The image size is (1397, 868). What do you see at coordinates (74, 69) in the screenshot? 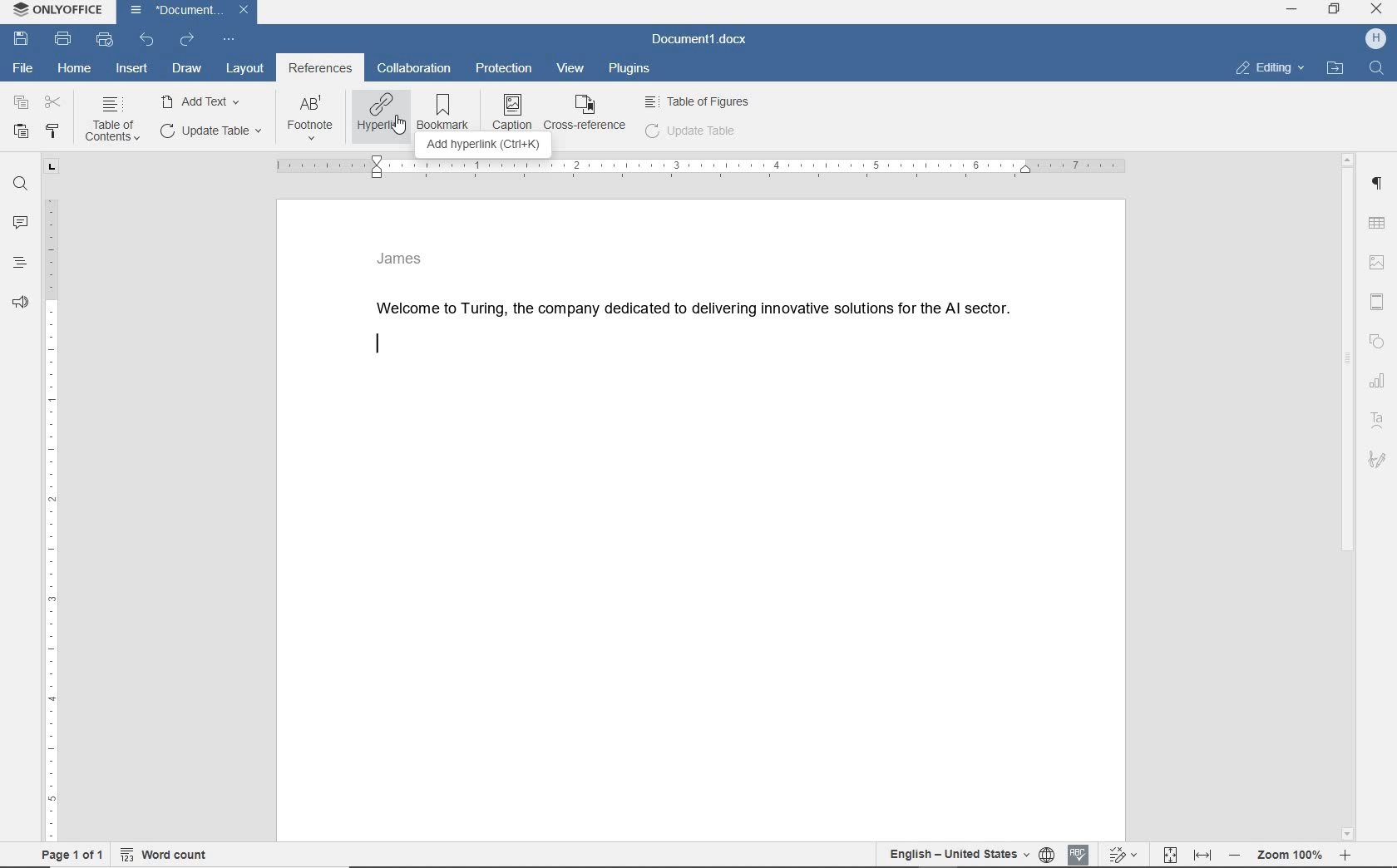
I see `home` at bounding box center [74, 69].